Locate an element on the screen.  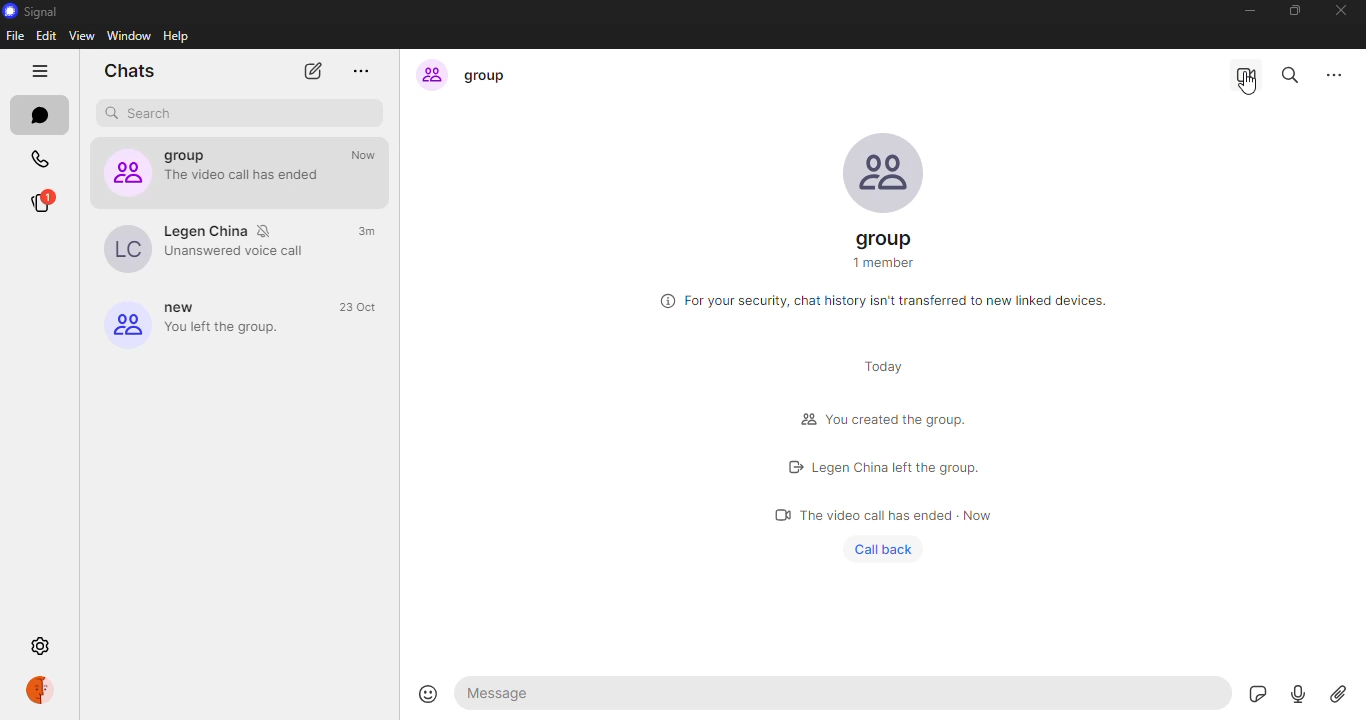
close is located at coordinates (1342, 11).